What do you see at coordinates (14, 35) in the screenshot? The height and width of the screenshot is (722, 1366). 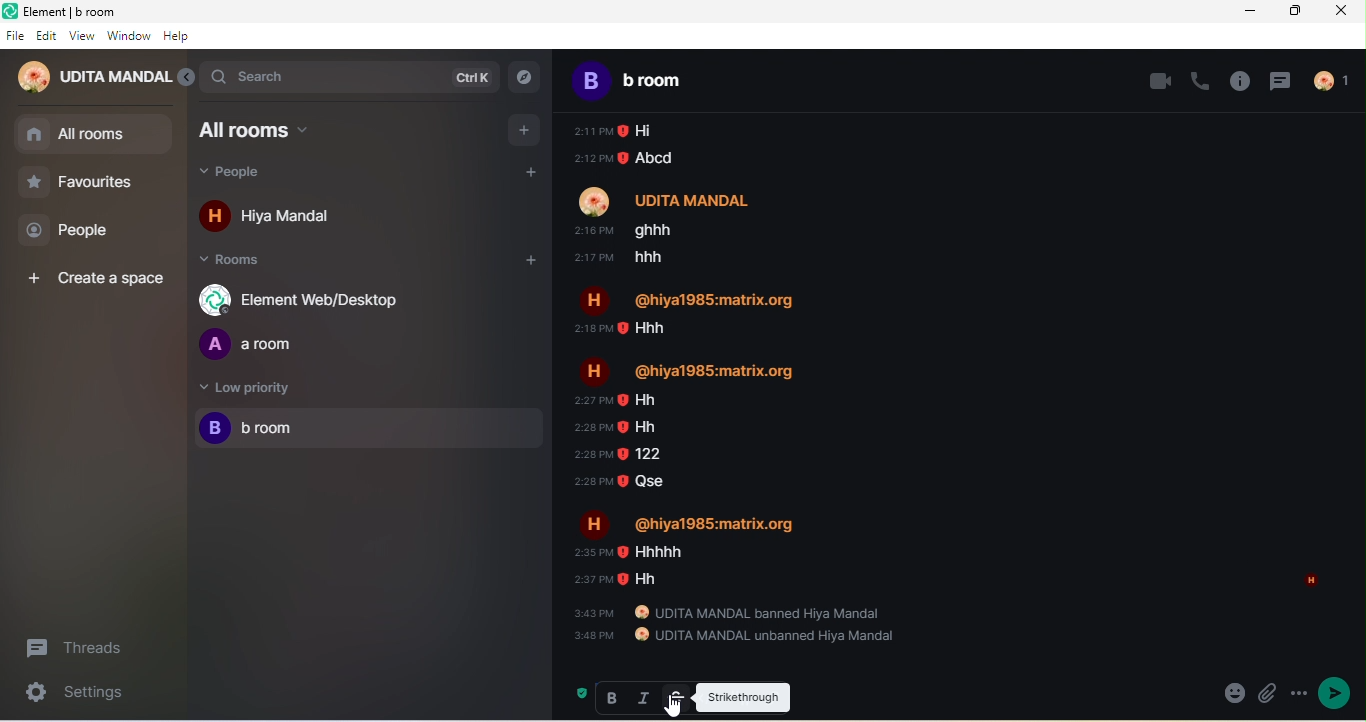 I see `file` at bounding box center [14, 35].